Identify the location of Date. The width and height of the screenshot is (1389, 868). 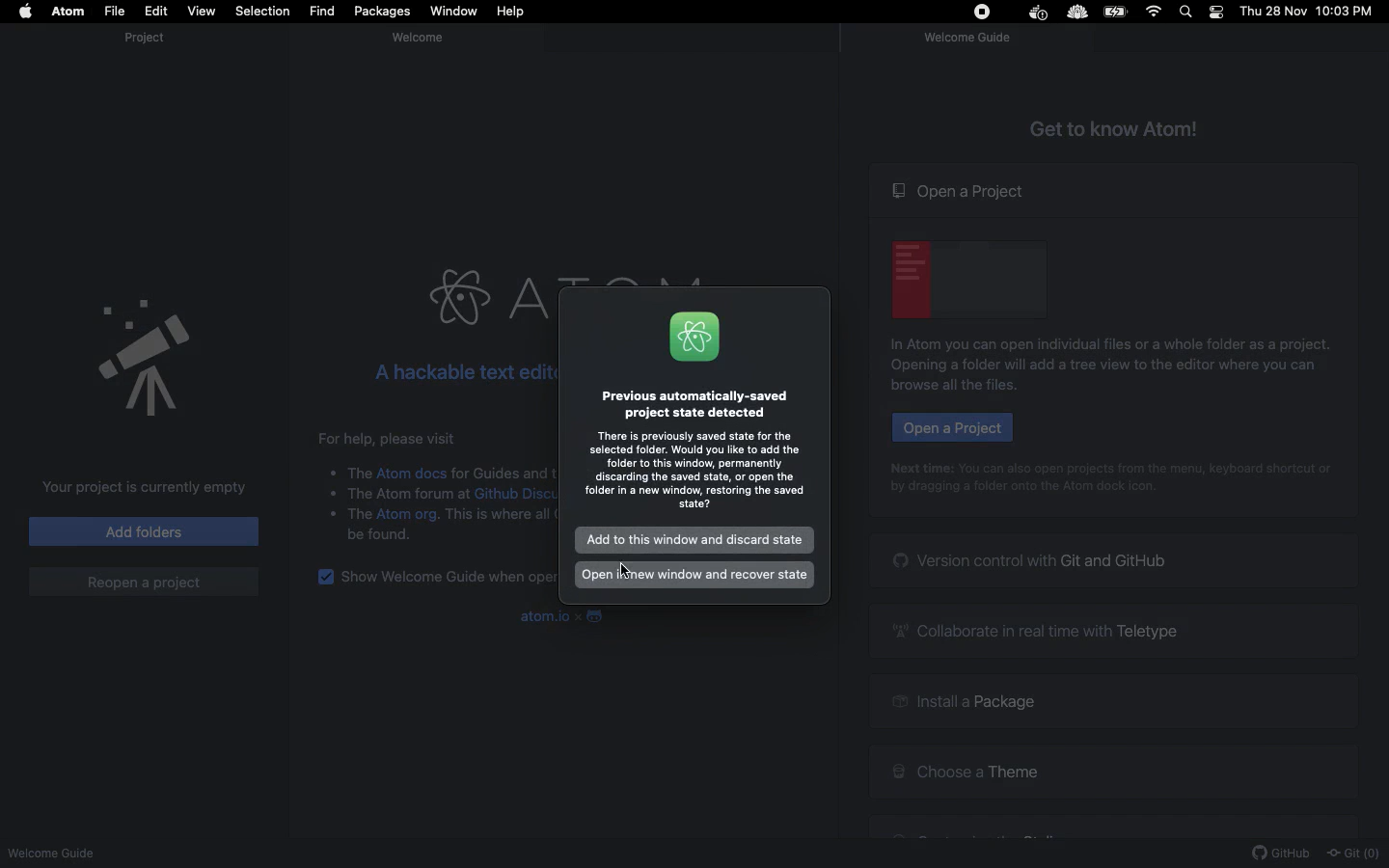
(1274, 12).